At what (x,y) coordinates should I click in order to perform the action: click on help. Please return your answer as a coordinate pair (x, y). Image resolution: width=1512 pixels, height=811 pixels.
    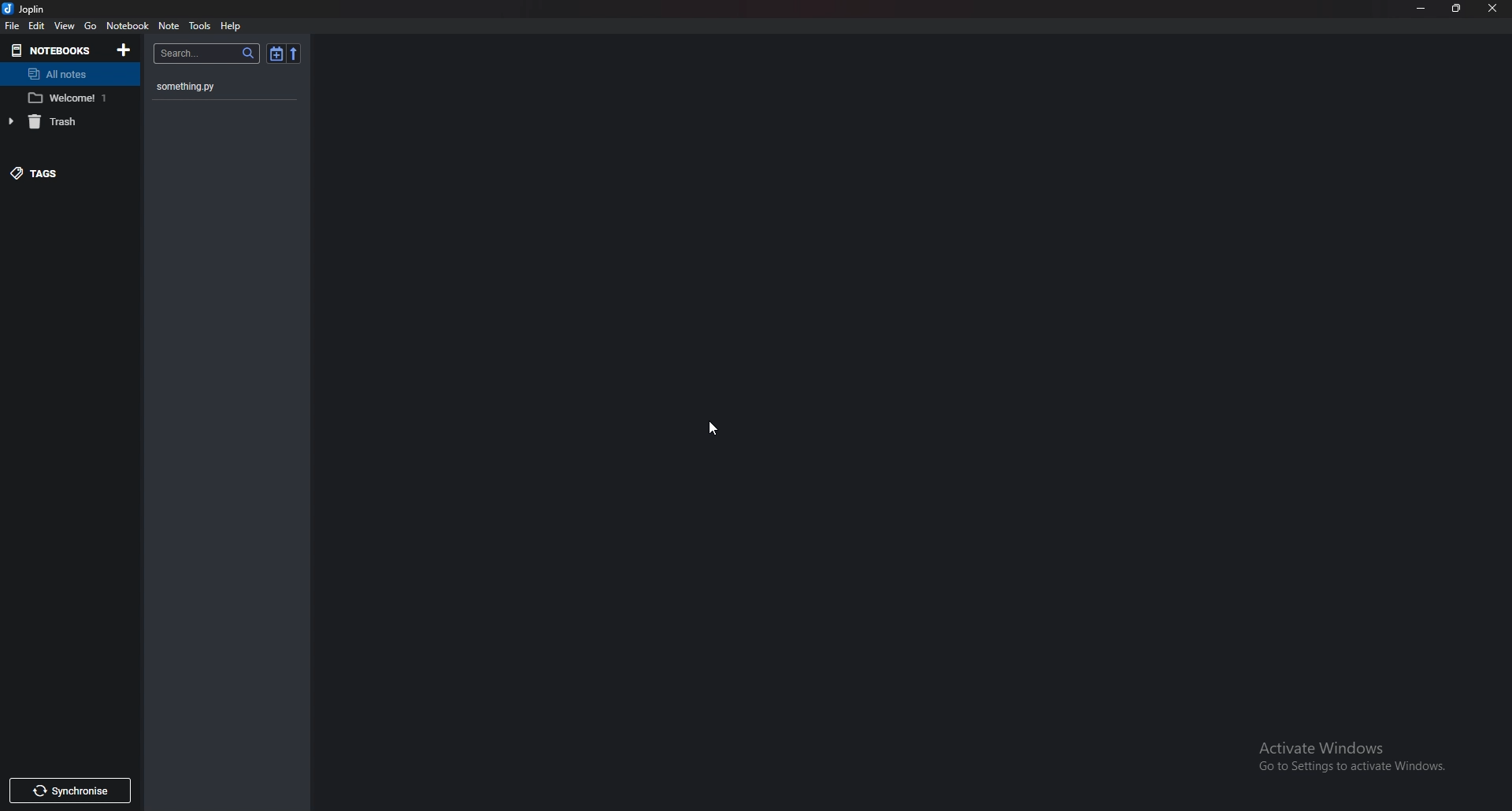
    Looking at the image, I should click on (232, 26).